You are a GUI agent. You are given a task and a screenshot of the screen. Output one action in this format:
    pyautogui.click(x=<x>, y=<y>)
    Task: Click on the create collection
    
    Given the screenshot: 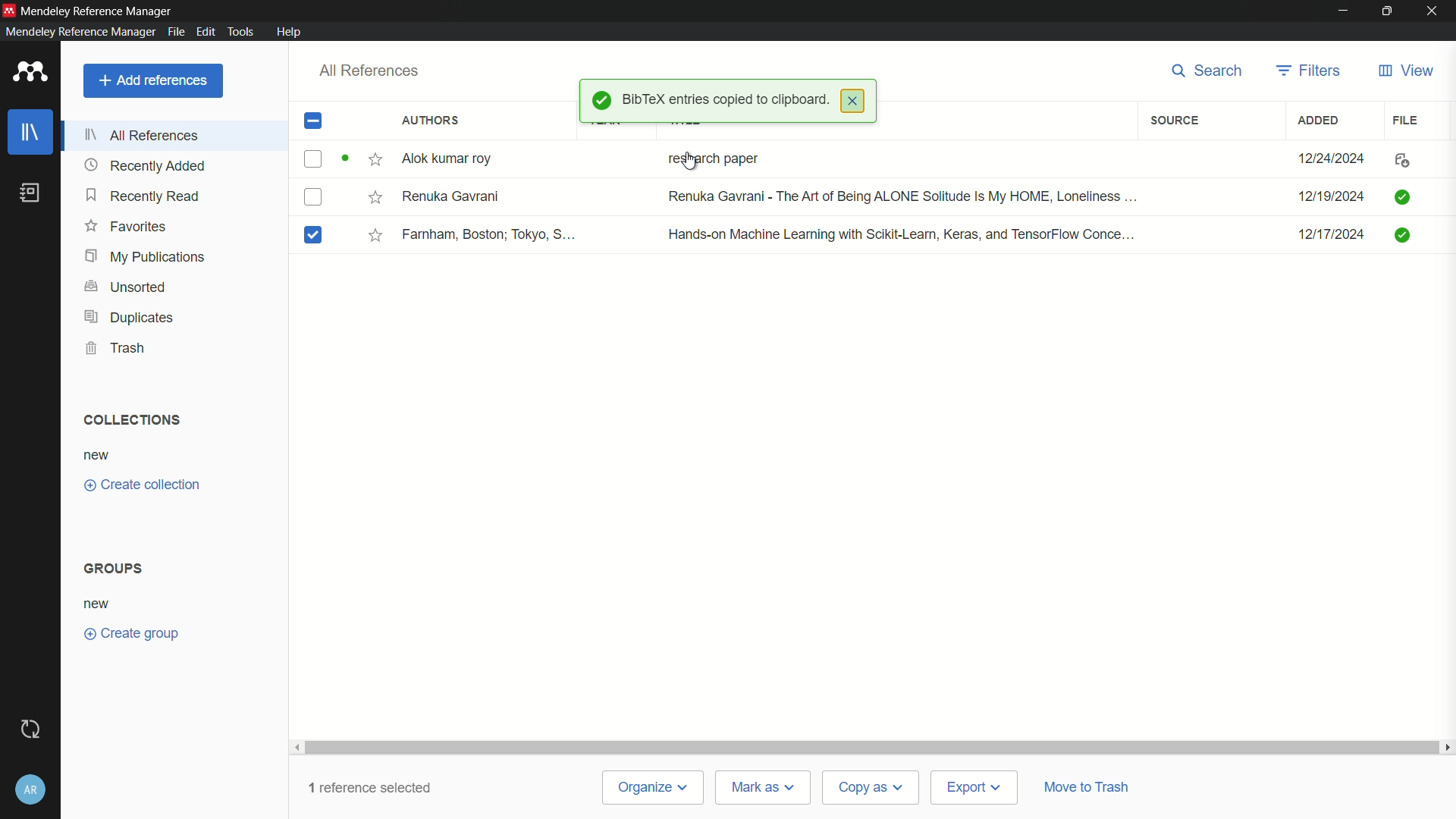 What is the action you would take?
    pyautogui.click(x=140, y=485)
    